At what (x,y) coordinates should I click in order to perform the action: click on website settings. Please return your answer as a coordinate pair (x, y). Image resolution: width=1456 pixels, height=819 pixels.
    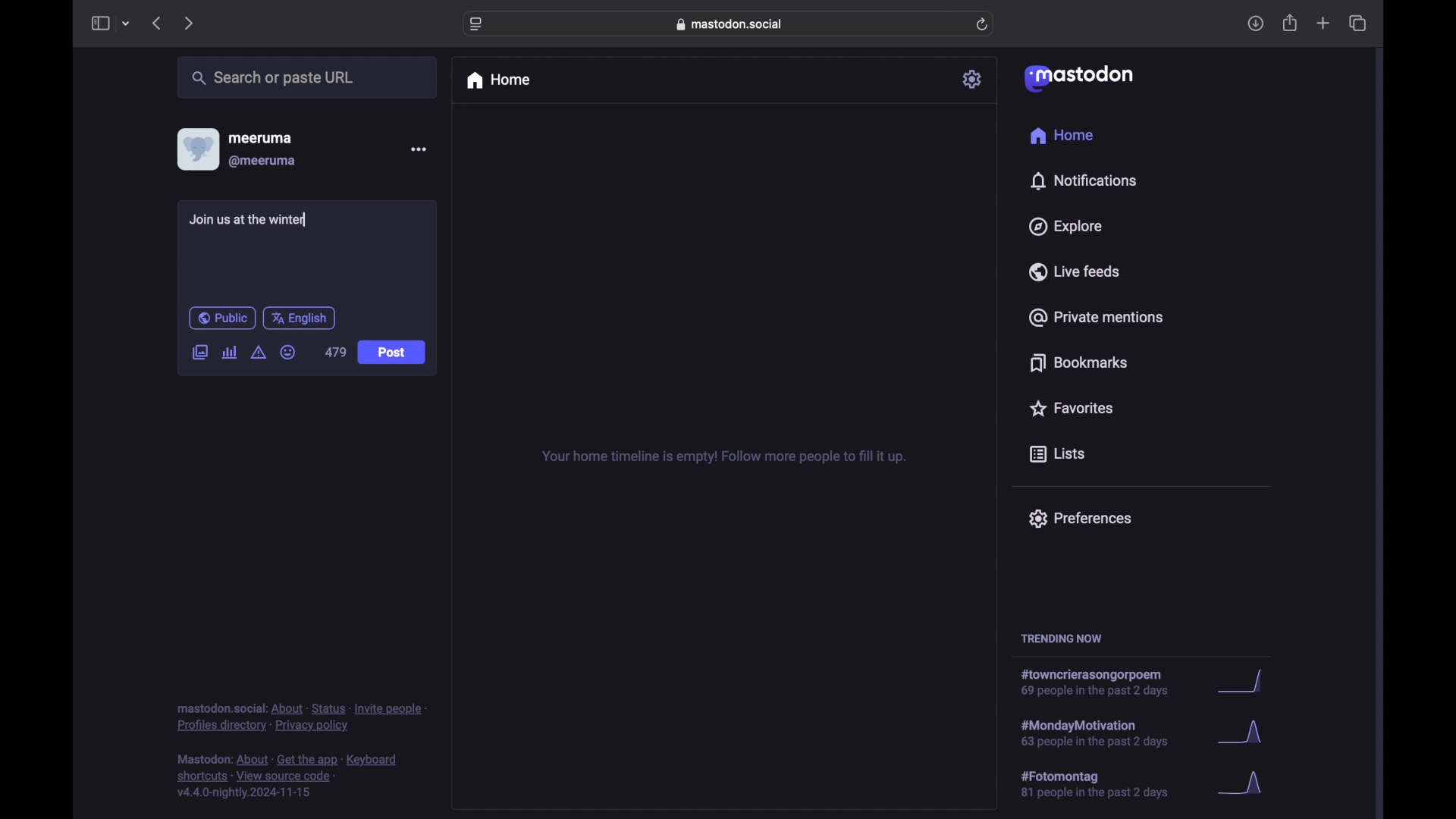
    Looking at the image, I should click on (478, 24).